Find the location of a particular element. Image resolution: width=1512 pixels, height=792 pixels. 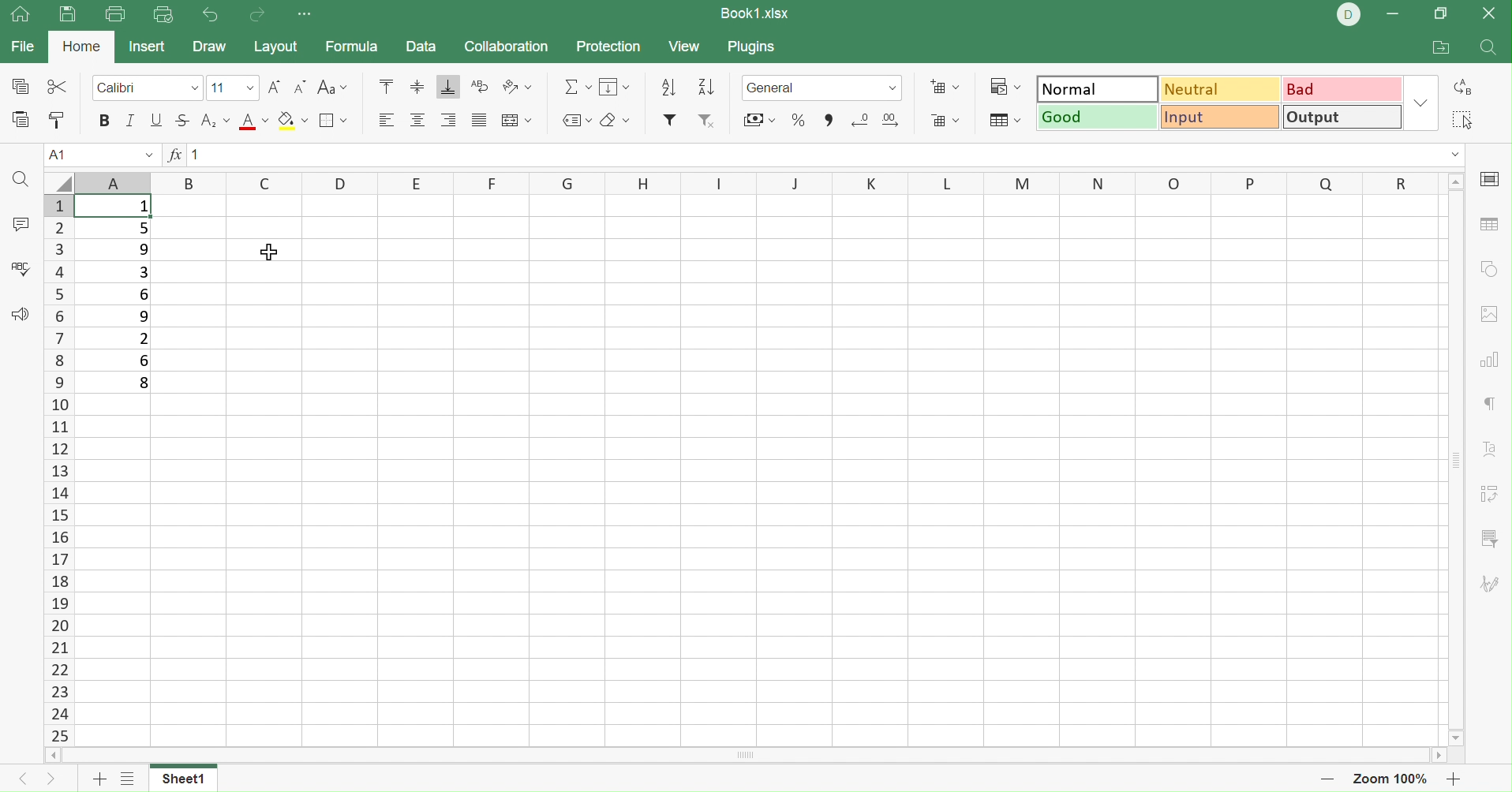

Wrap text is located at coordinates (478, 85).